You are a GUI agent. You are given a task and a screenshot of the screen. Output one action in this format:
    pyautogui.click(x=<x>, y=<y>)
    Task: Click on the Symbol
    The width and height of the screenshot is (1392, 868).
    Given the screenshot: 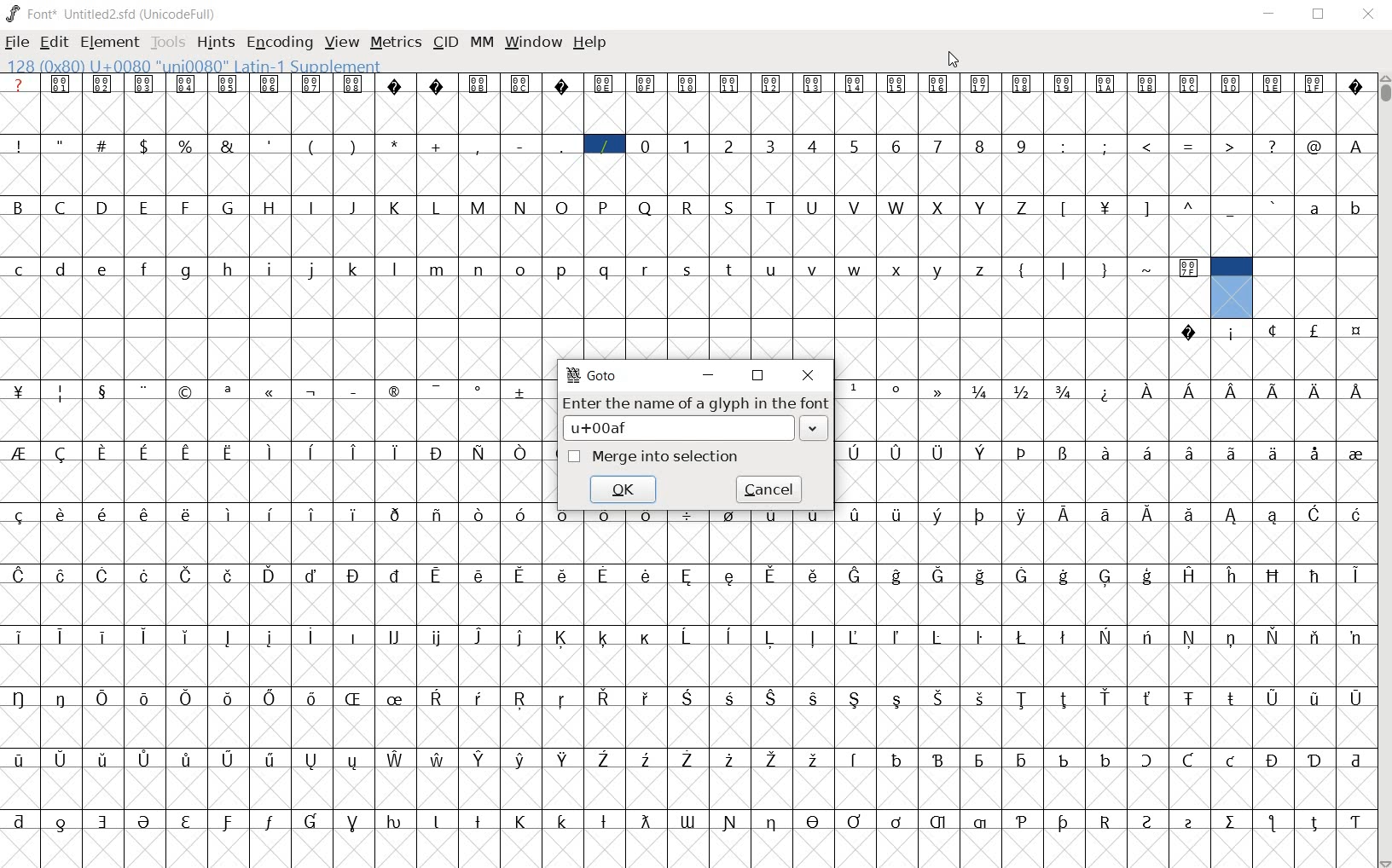 What is the action you would take?
    pyautogui.click(x=1189, y=821)
    